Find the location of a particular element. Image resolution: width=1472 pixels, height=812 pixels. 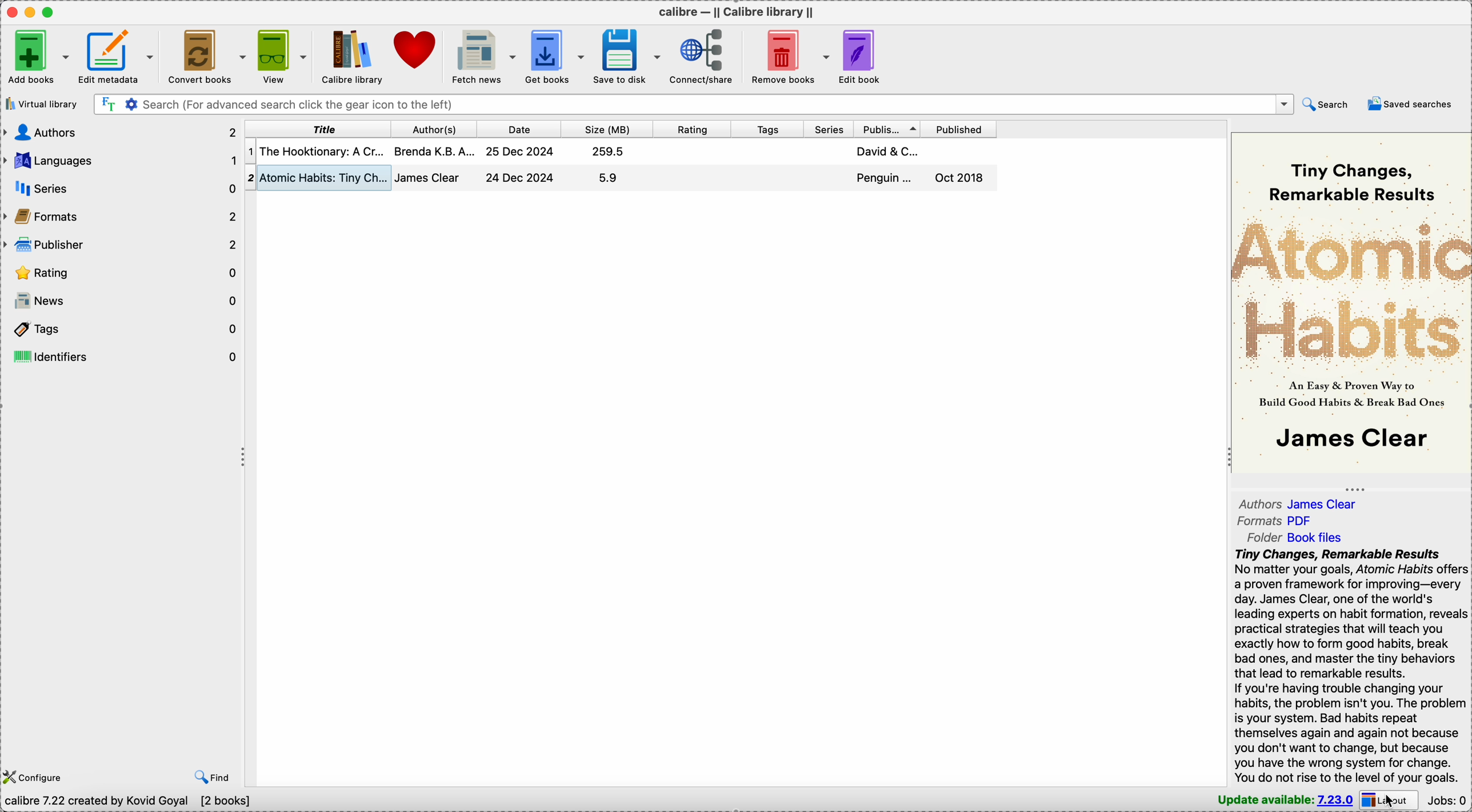

configure is located at coordinates (35, 777).